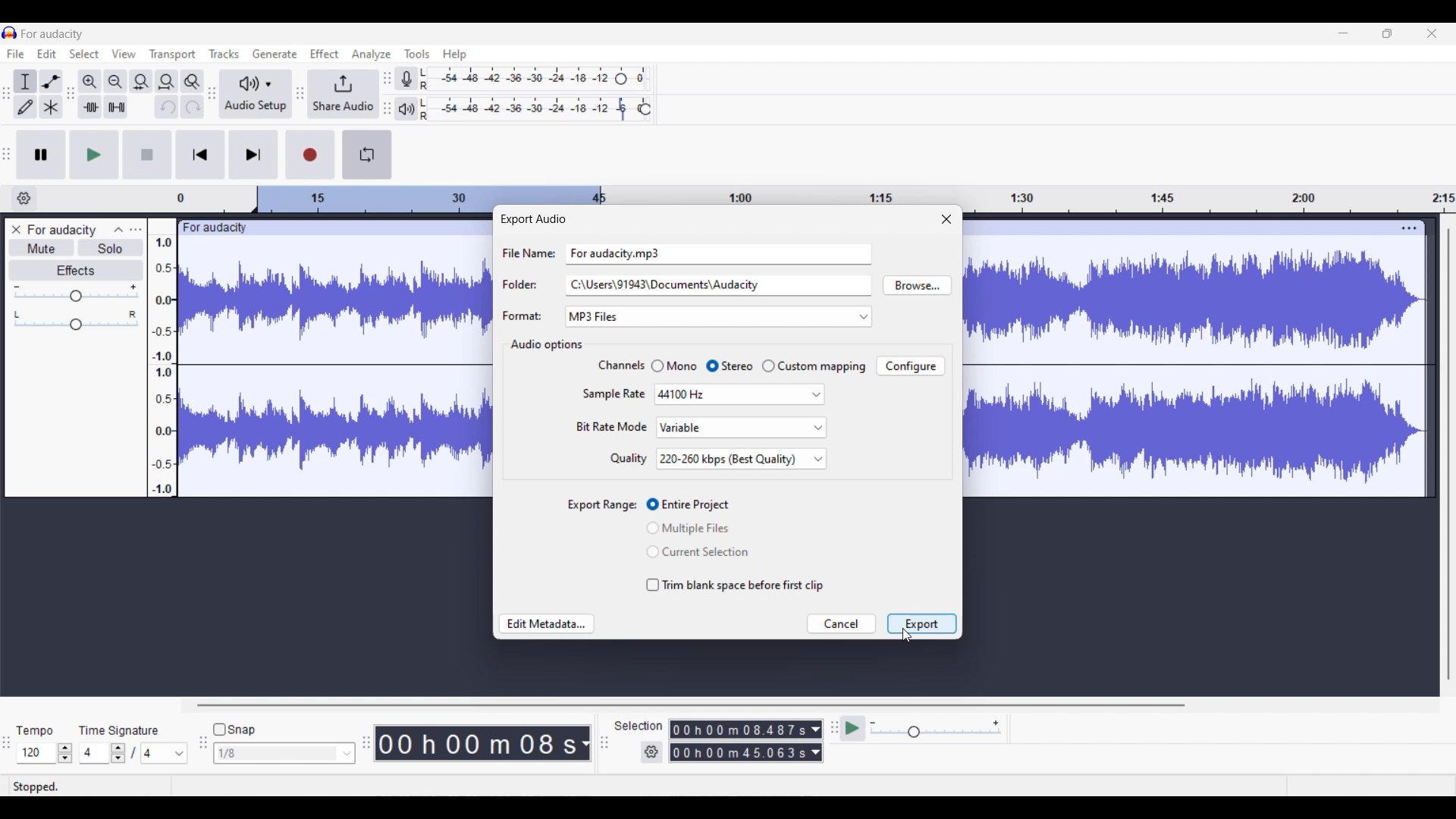  I want to click on Browse folders, so click(917, 285).